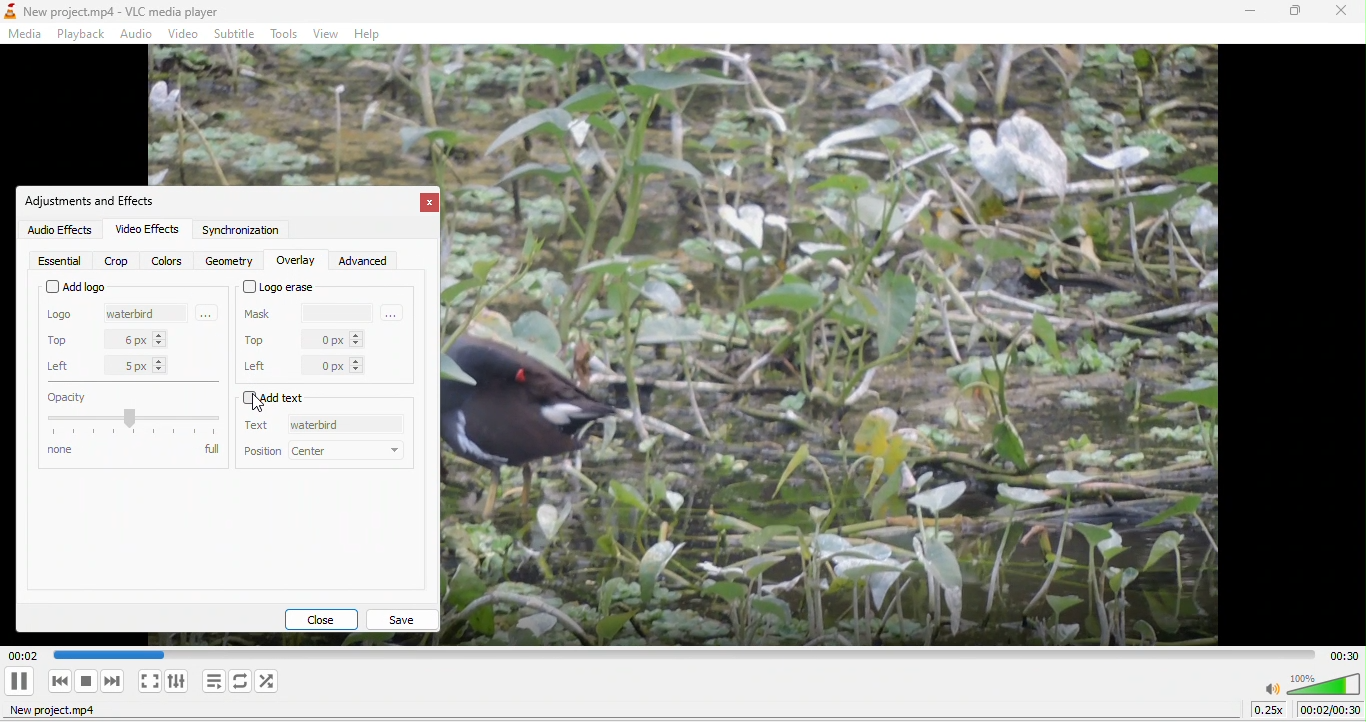 The height and width of the screenshot is (722, 1366). What do you see at coordinates (237, 32) in the screenshot?
I see `subtitle` at bounding box center [237, 32].